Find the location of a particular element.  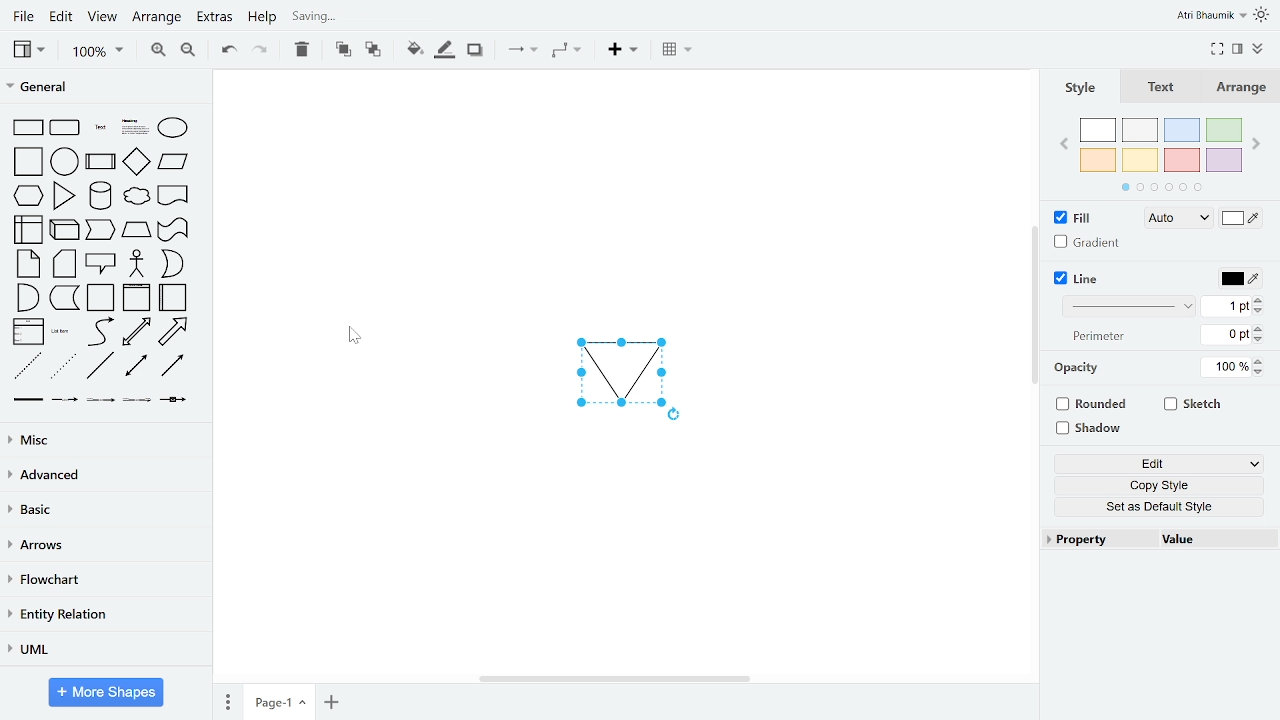

fill line is located at coordinates (444, 49).